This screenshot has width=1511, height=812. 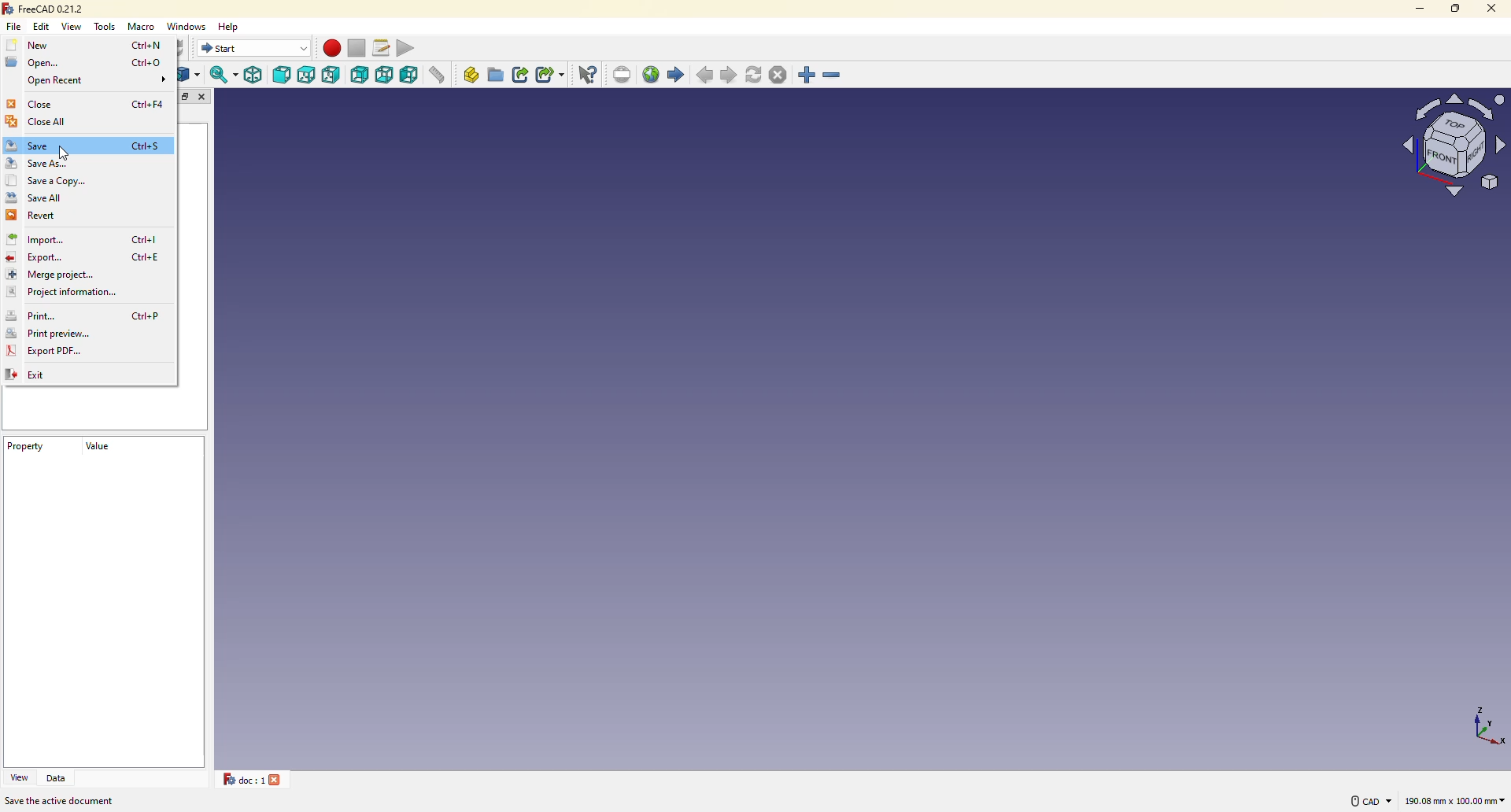 What do you see at coordinates (43, 26) in the screenshot?
I see `edit` at bounding box center [43, 26].